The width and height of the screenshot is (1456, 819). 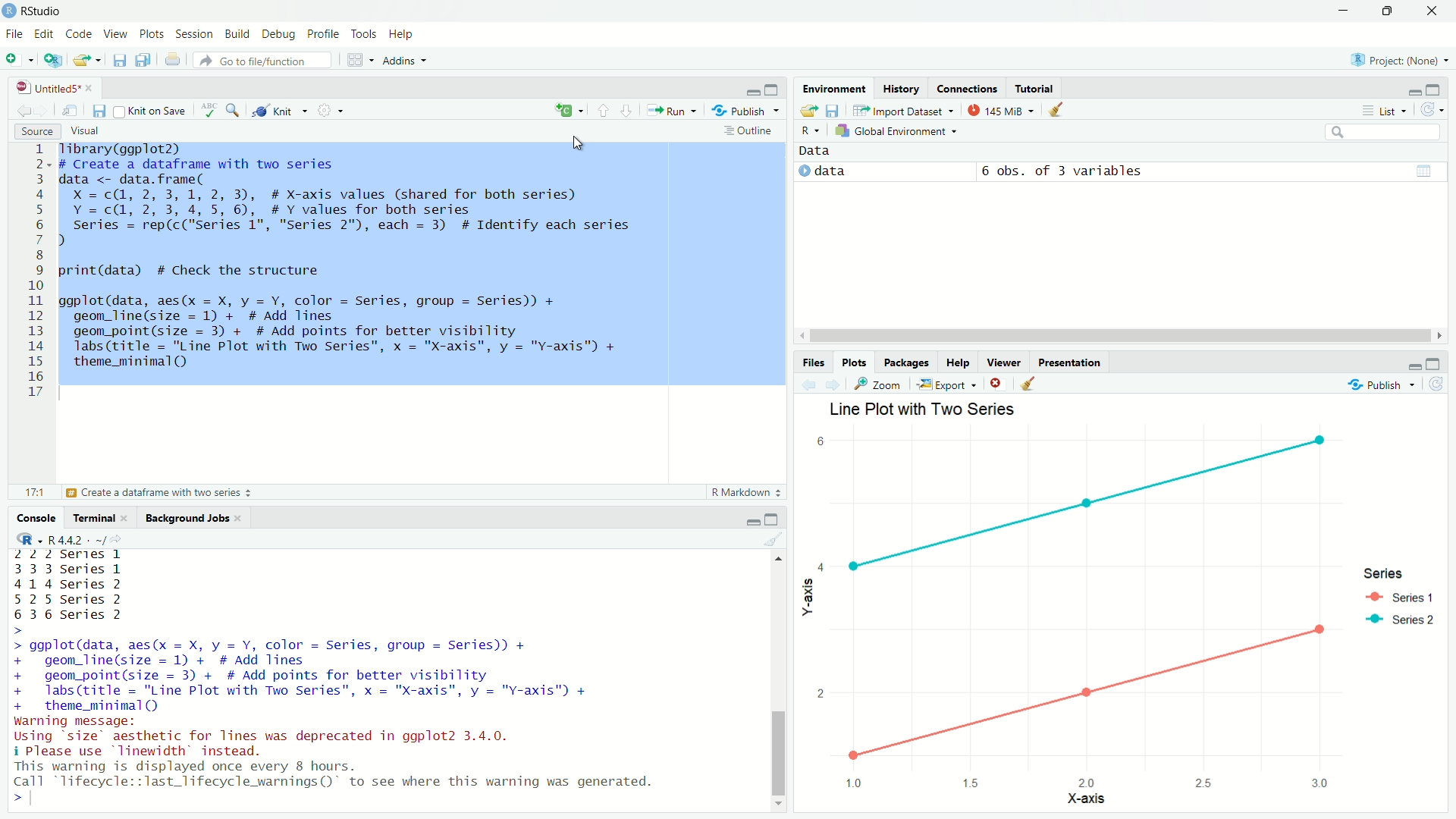 What do you see at coordinates (1435, 386) in the screenshot?
I see `Refresh` at bounding box center [1435, 386].